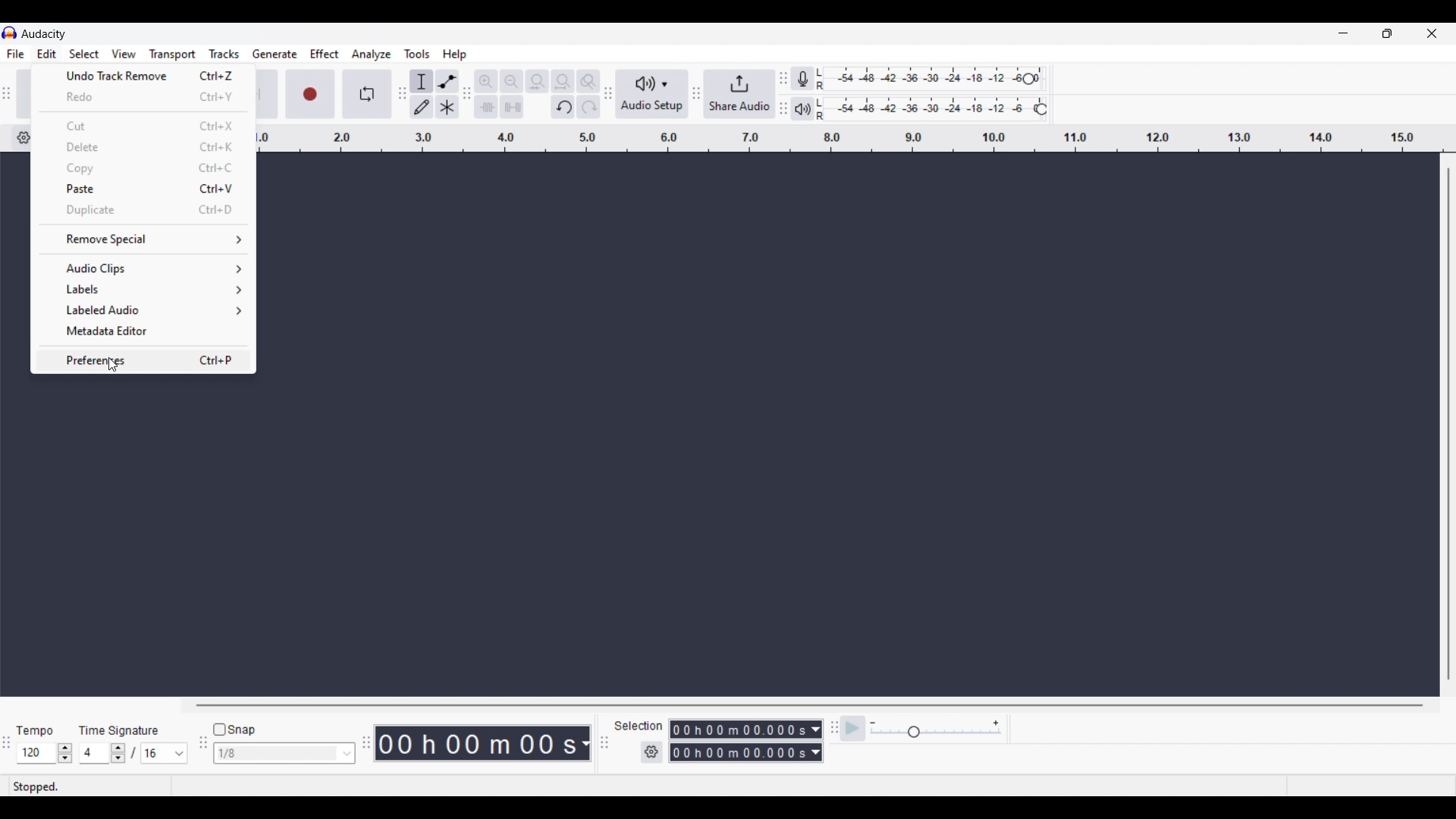 The image size is (1456, 819). I want to click on Show interface in a smaller tab, so click(1387, 33).